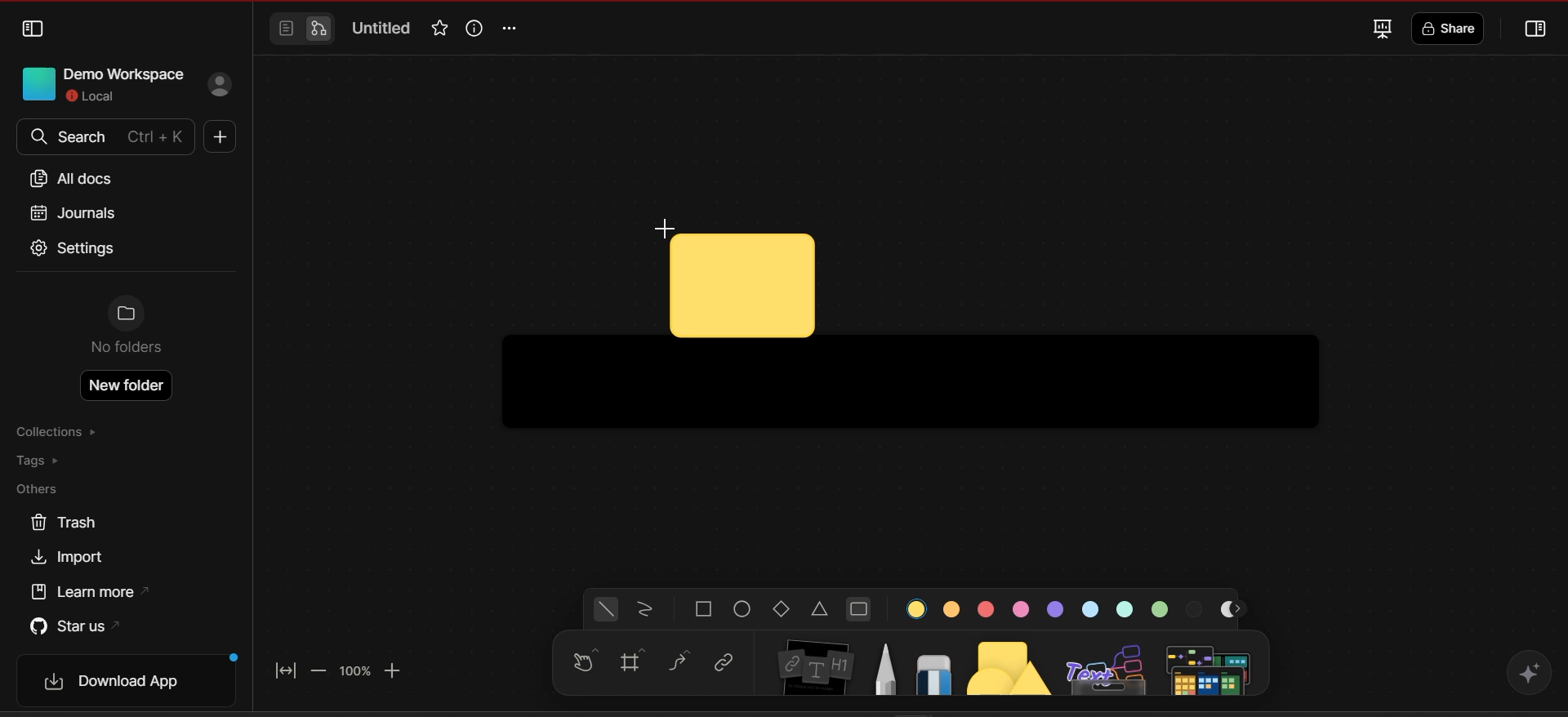 This screenshot has width=1568, height=717. What do you see at coordinates (1529, 671) in the screenshot?
I see `affine AI` at bounding box center [1529, 671].